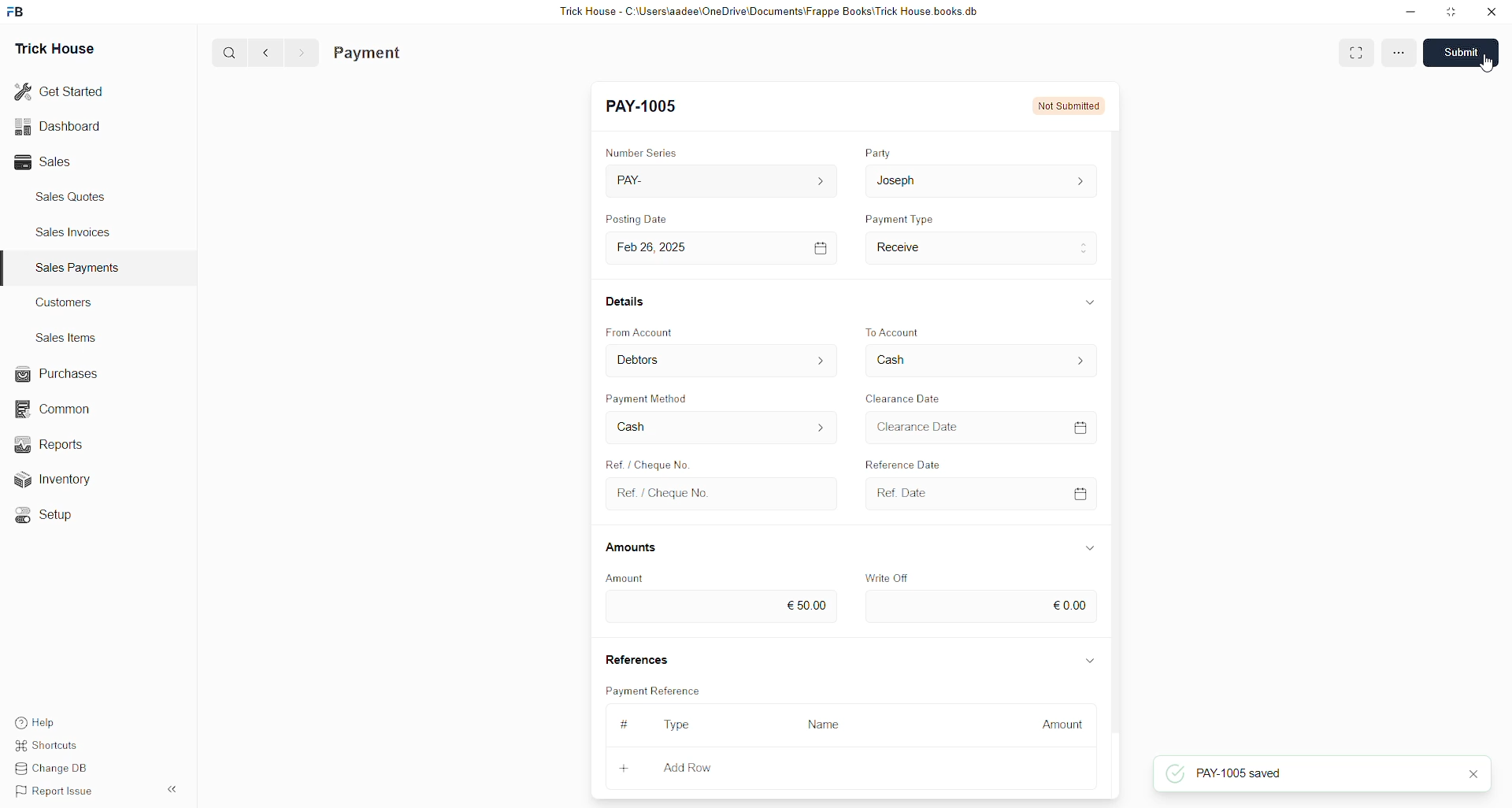  Describe the element at coordinates (1452, 12) in the screenshot. I see `resize` at that location.